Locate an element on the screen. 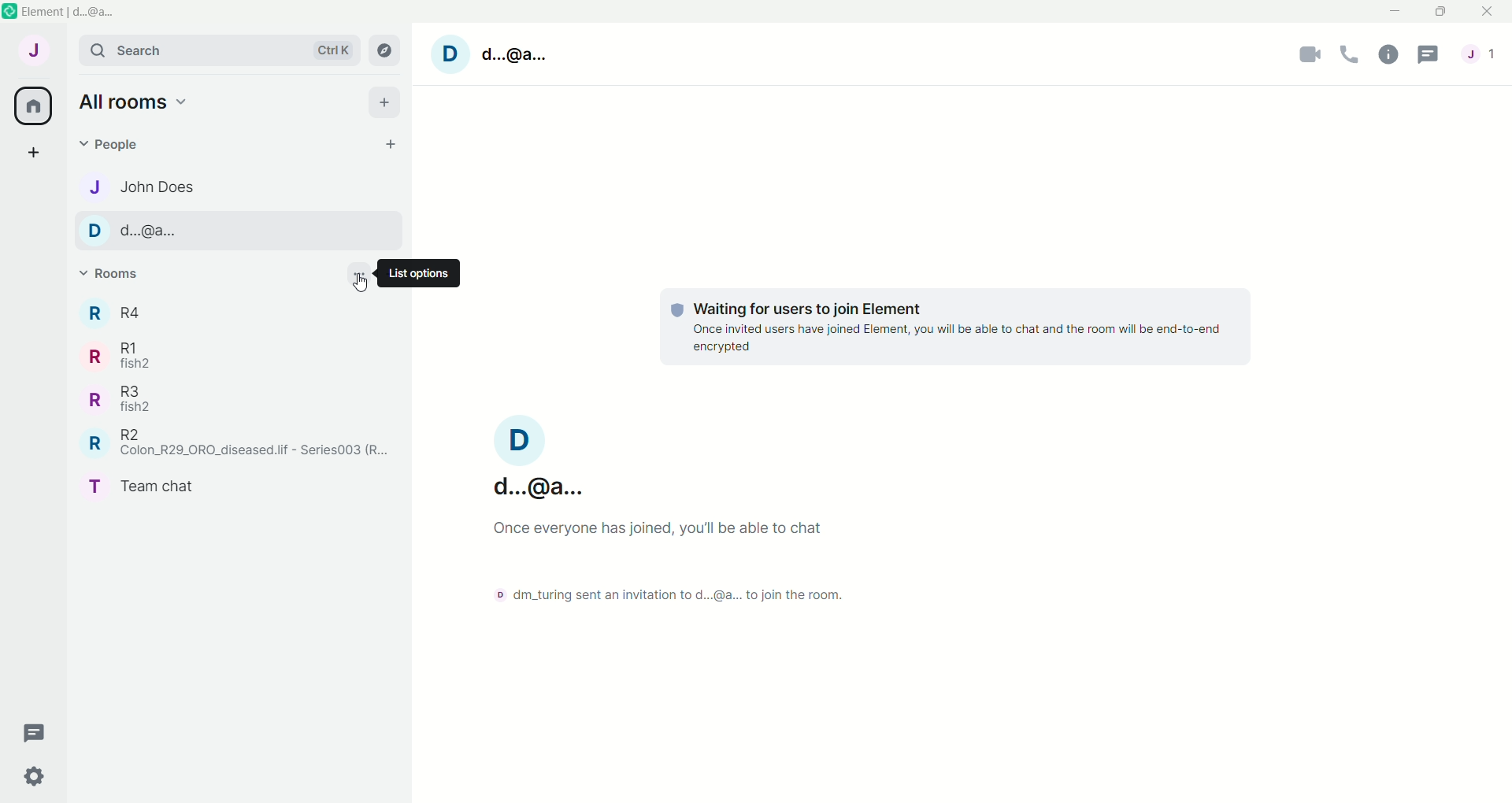 The width and height of the screenshot is (1512, 803). Text is located at coordinates (658, 590).